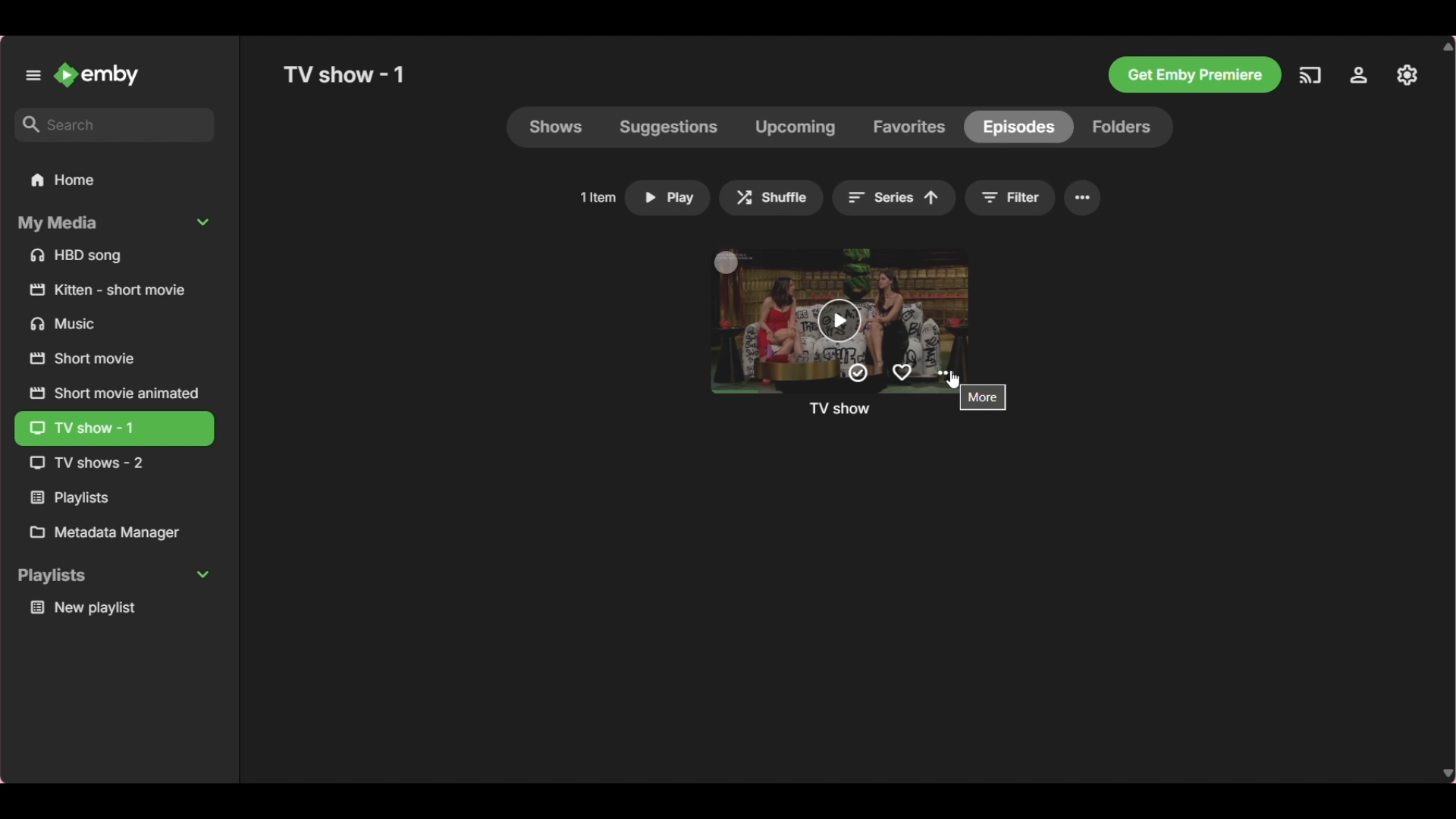 The width and height of the screenshot is (1456, 819). I want to click on Favorites, so click(909, 127).